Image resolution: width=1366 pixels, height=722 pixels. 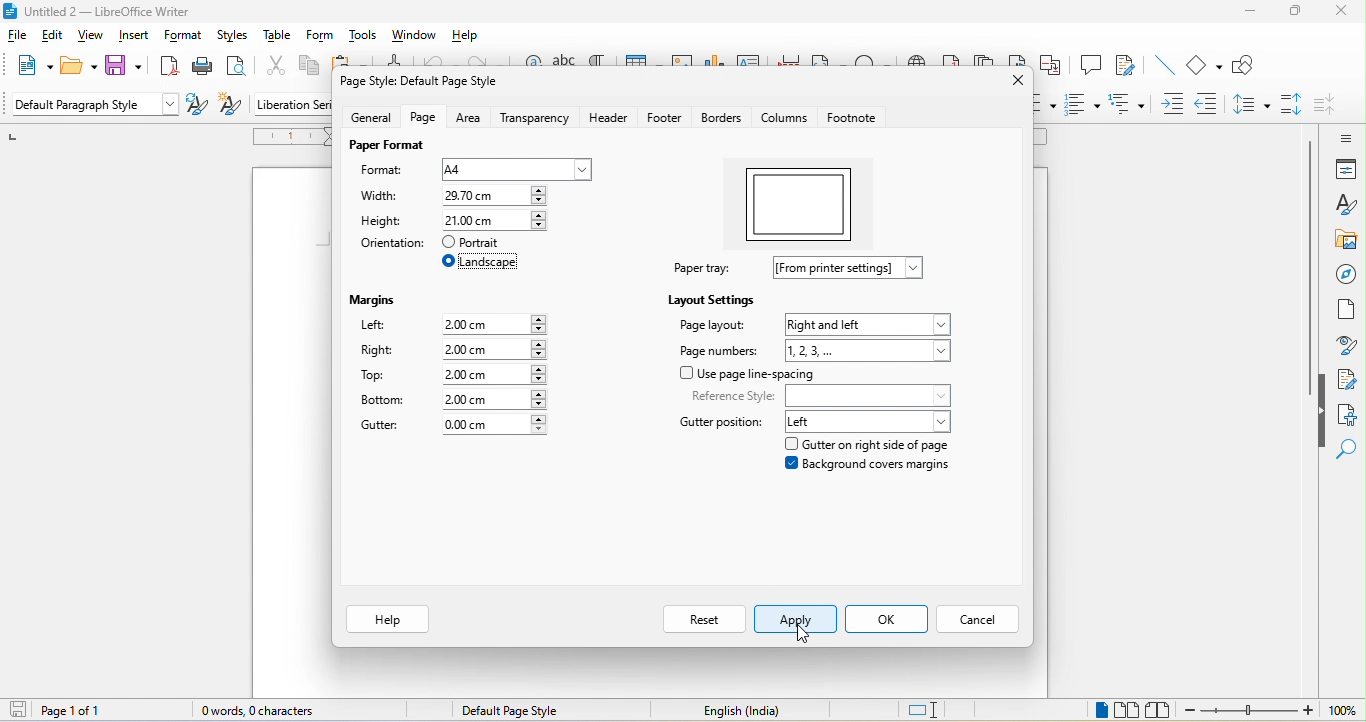 What do you see at coordinates (273, 69) in the screenshot?
I see `cut` at bounding box center [273, 69].